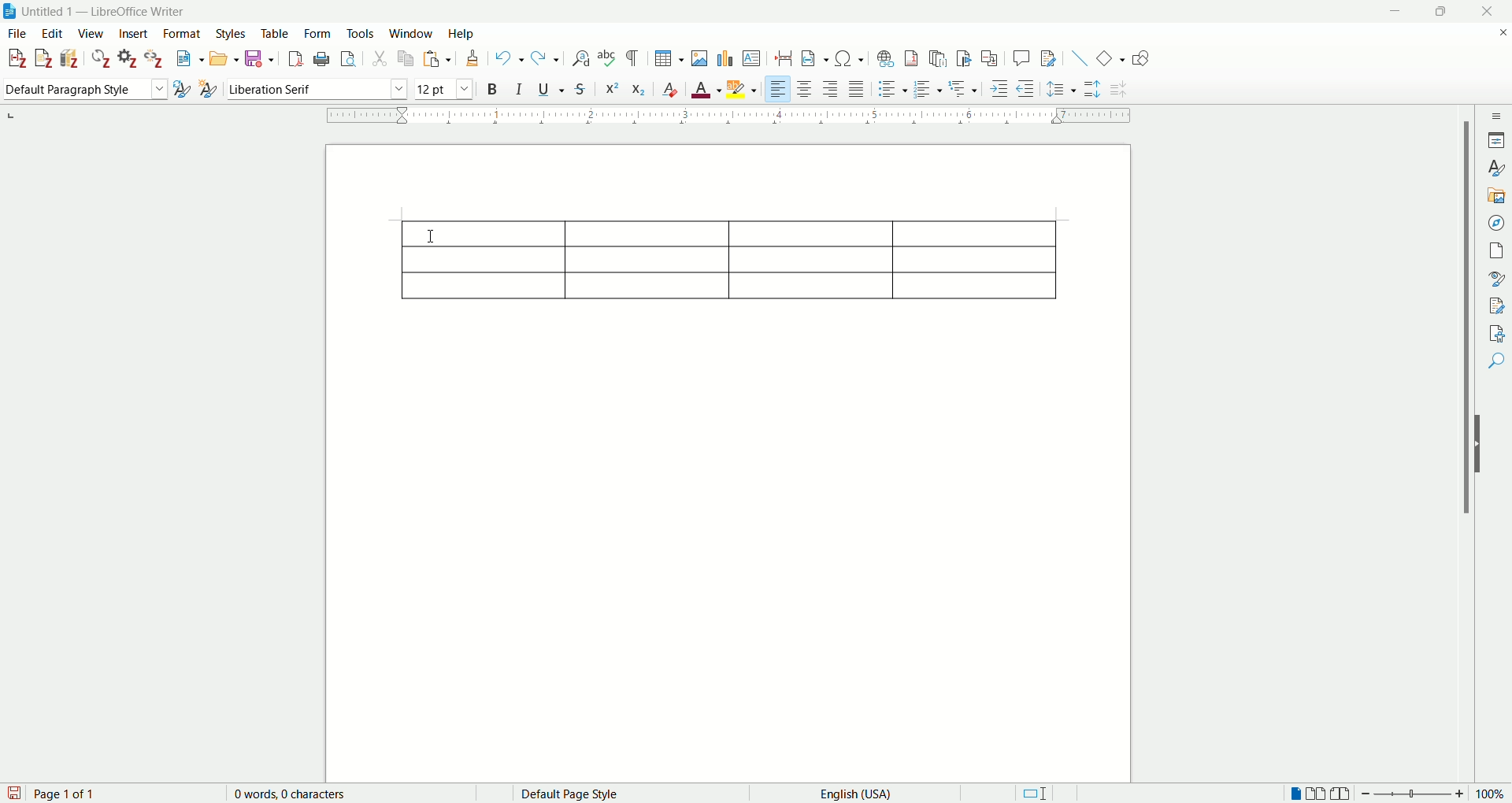 The height and width of the screenshot is (803, 1512). What do you see at coordinates (521, 91) in the screenshot?
I see `italics` at bounding box center [521, 91].